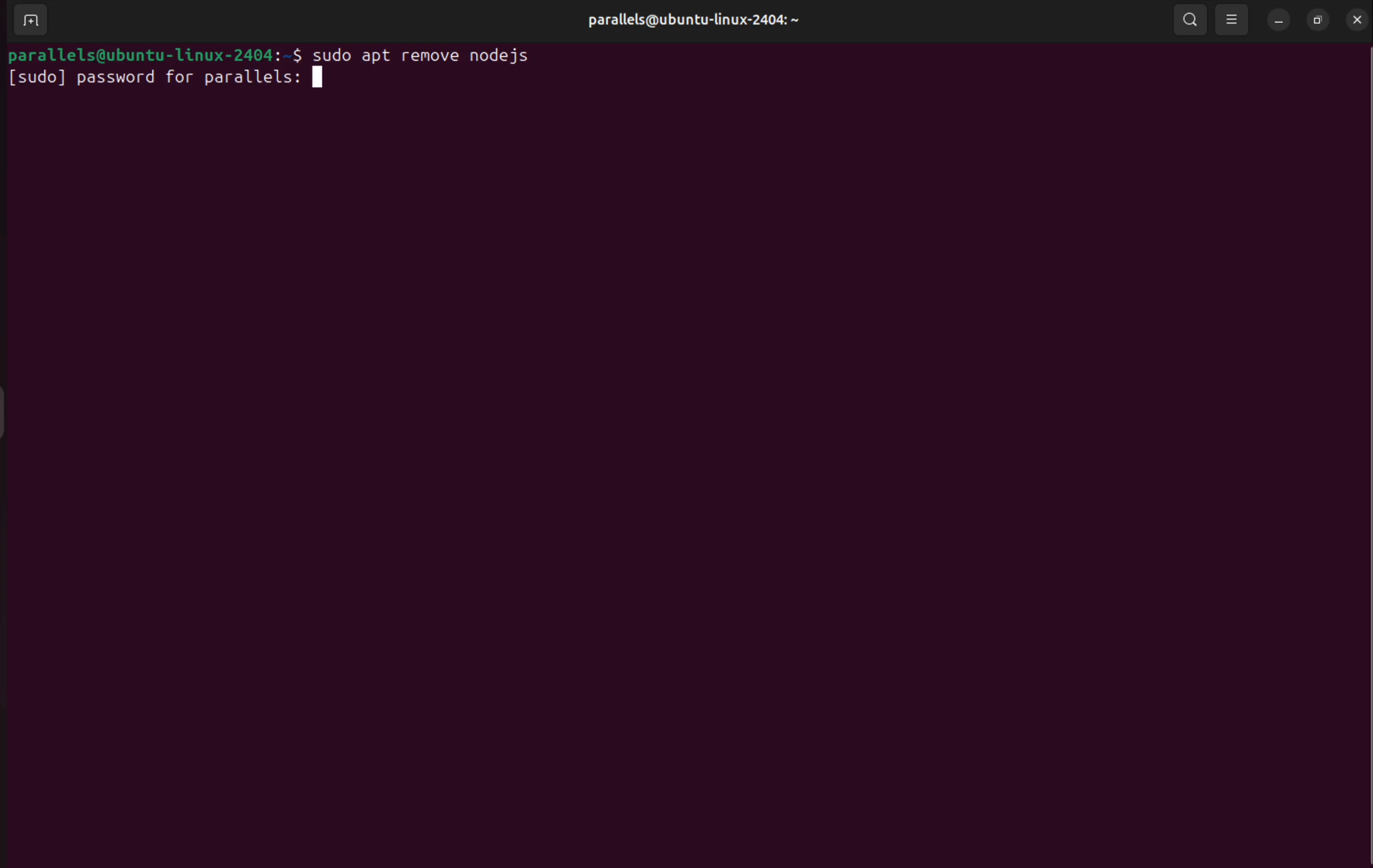 This screenshot has width=1373, height=868. What do you see at coordinates (153, 54) in the screenshot?
I see `parallels@ubuntu-linux-2404: $` at bounding box center [153, 54].